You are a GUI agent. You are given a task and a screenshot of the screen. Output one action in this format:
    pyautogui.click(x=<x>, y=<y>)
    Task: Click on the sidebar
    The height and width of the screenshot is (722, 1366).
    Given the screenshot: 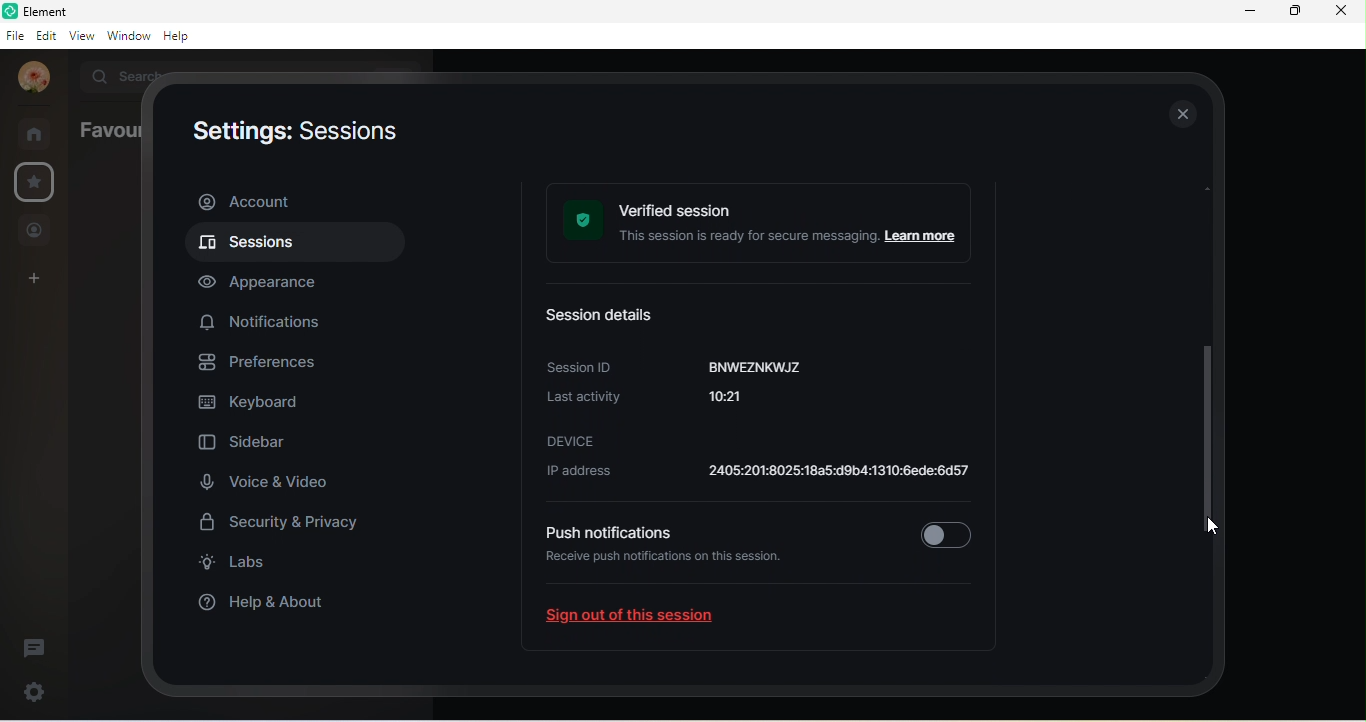 What is the action you would take?
    pyautogui.click(x=248, y=445)
    